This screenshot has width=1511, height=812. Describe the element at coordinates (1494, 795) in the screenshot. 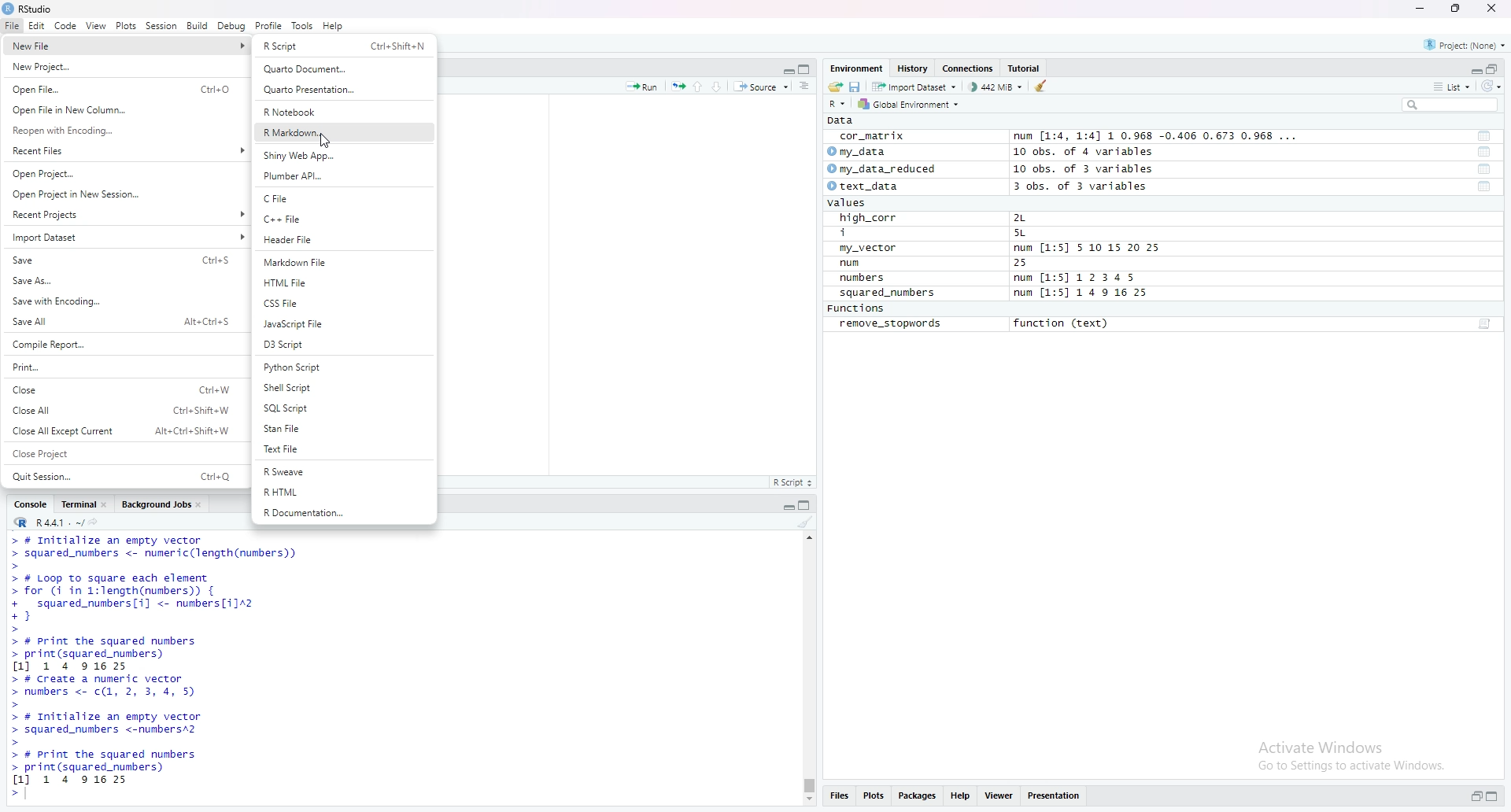

I see `maximize` at that location.